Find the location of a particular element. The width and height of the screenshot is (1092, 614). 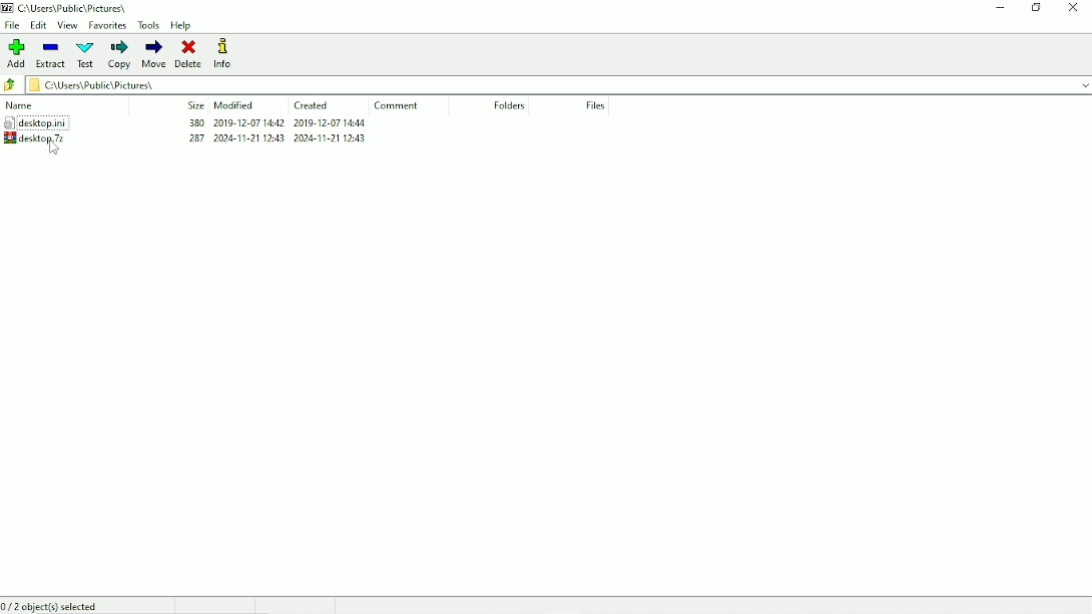

Files is located at coordinates (596, 105).